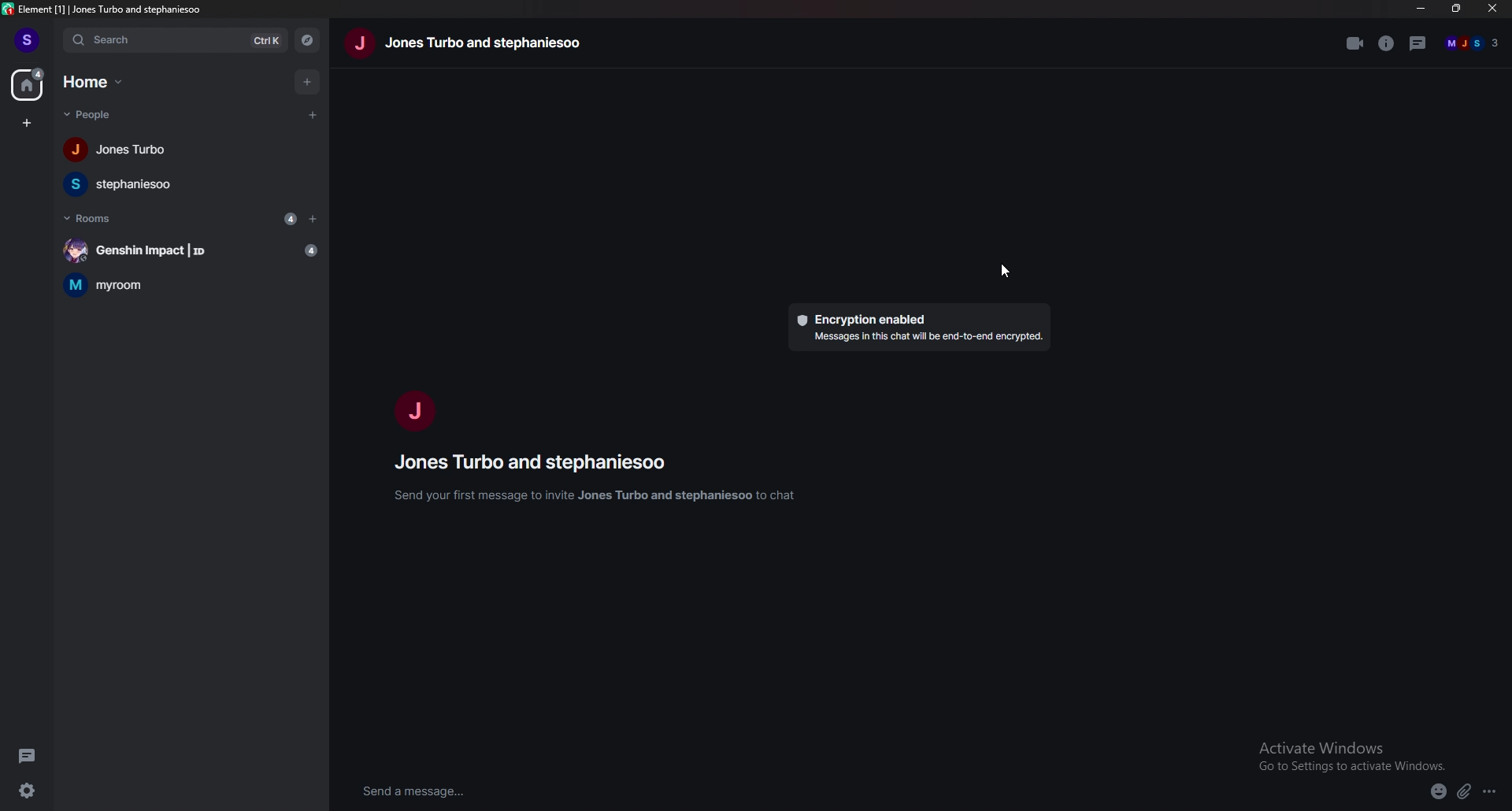 The width and height of the screenshot is (1512, 811). What do you see at coordinates (89, 217) in the screenshot?
I see `rooms` at bounding box center [89, 217].